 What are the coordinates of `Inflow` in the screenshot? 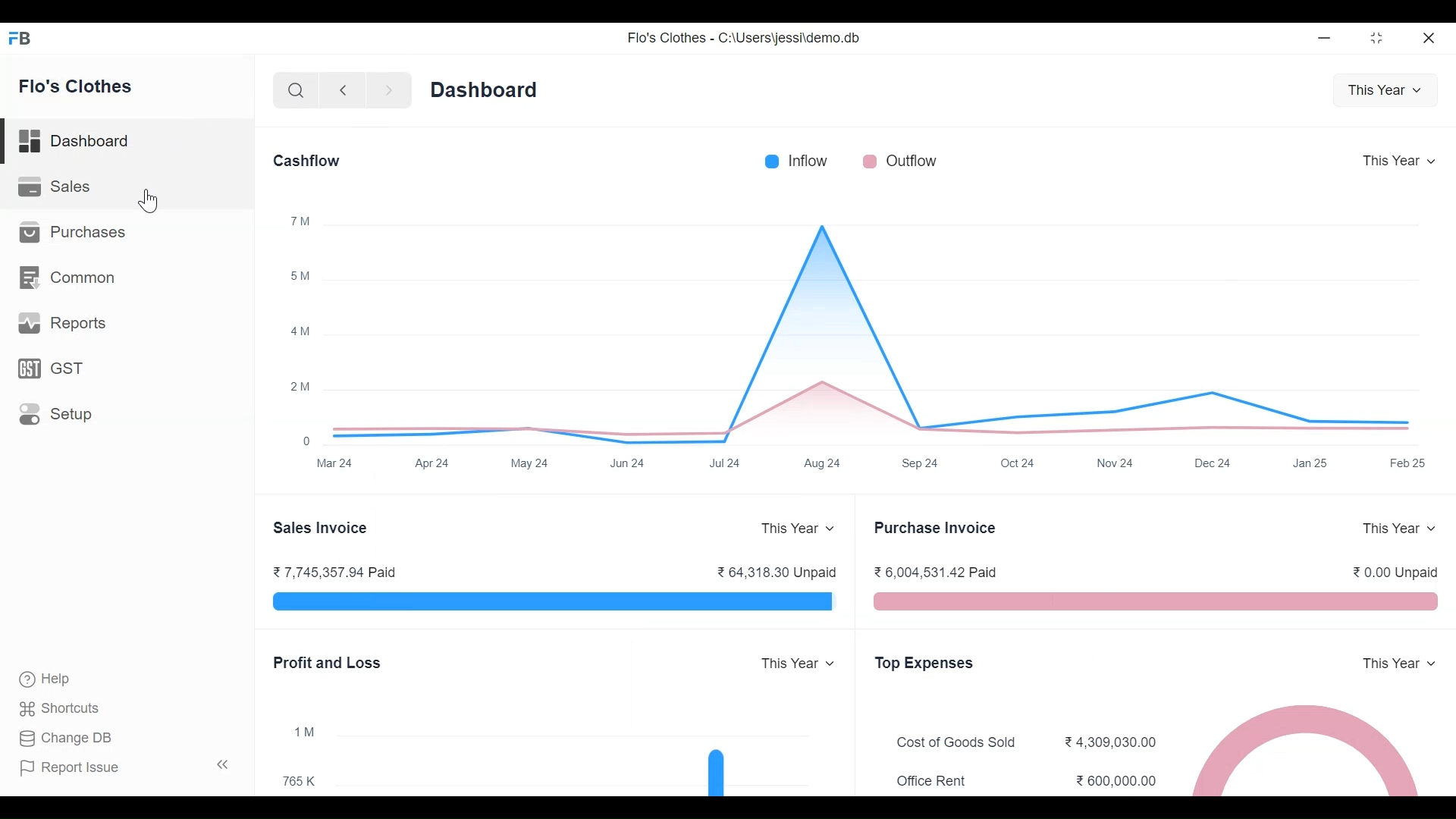 It's located at (807, 160).